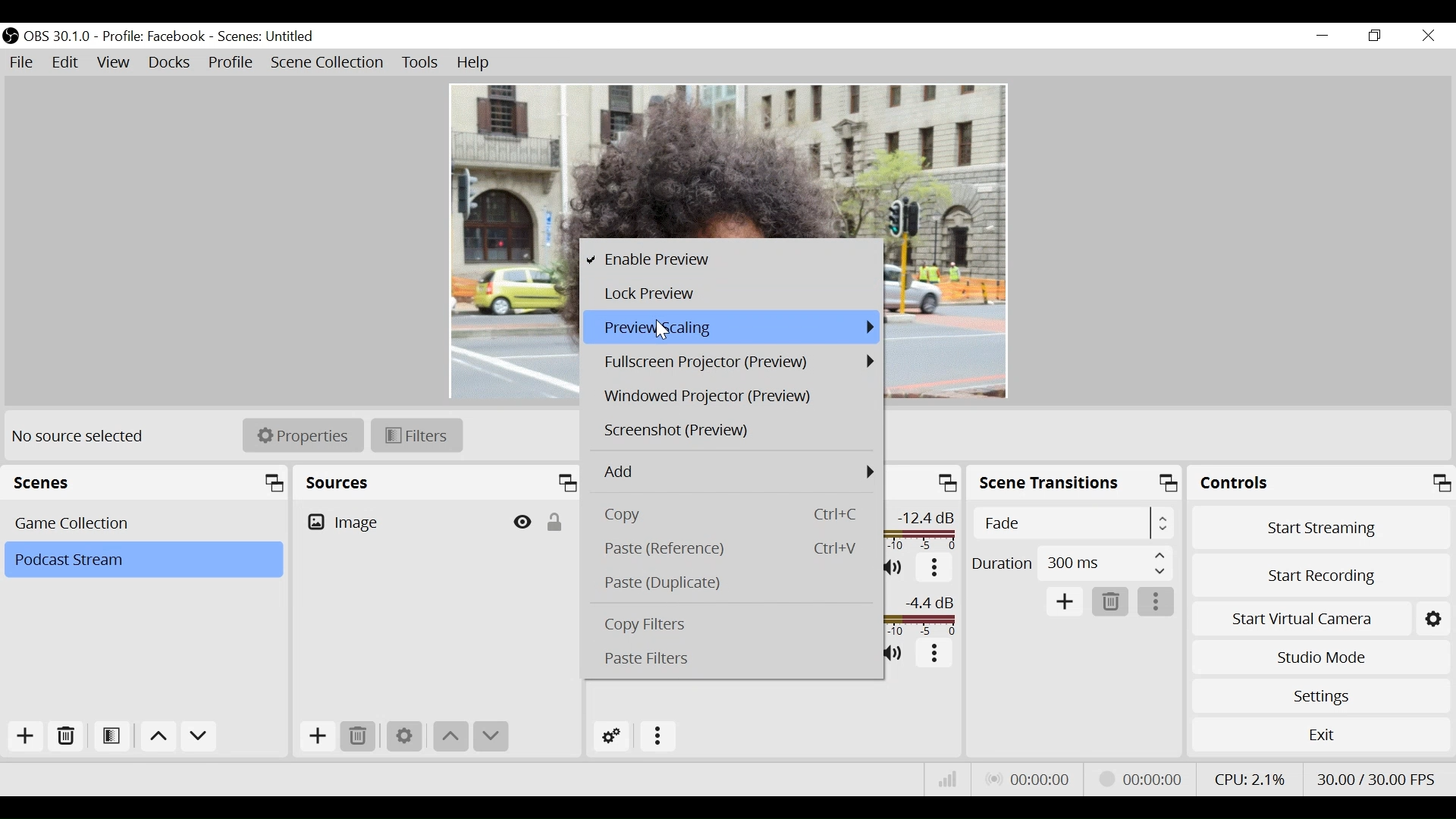 The image size is (1456, 819). Describe the element at coordinates (1029, 781) in the screenshot. I see `Live Status` at that location.